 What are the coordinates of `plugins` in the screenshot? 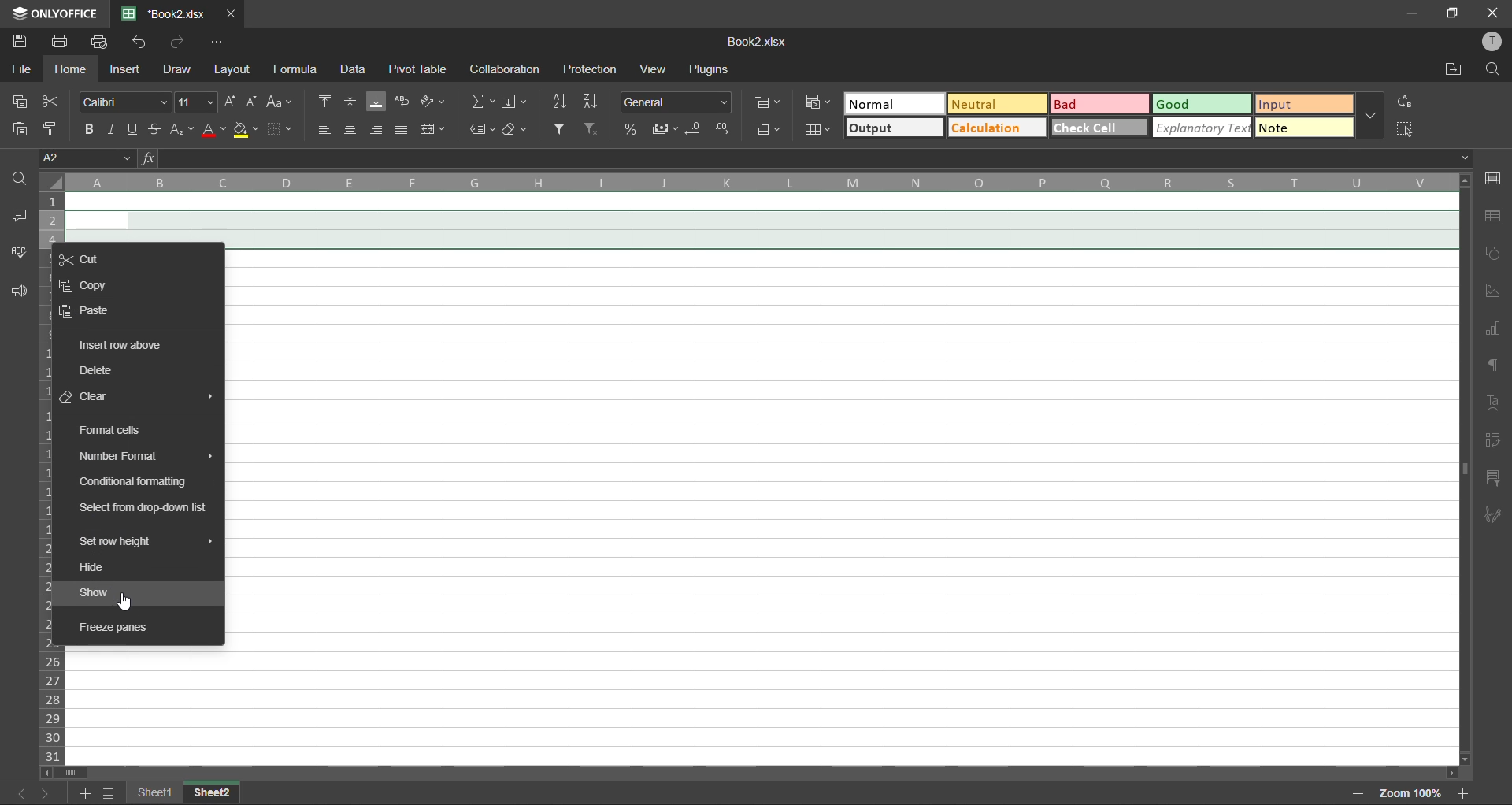 It's located at (707, 68).